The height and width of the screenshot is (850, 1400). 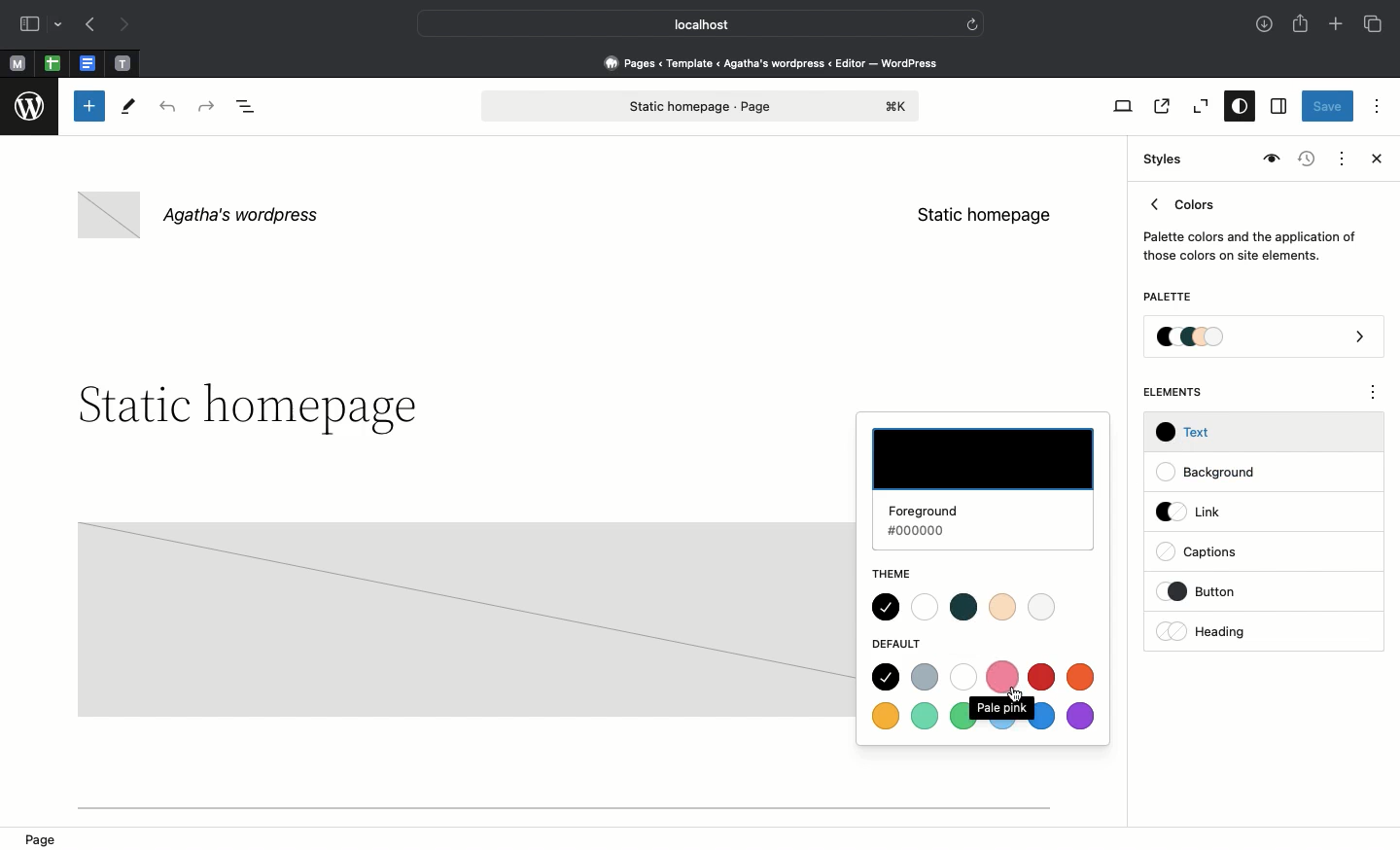 I want to click on Tools, so click(x=129, y=111).